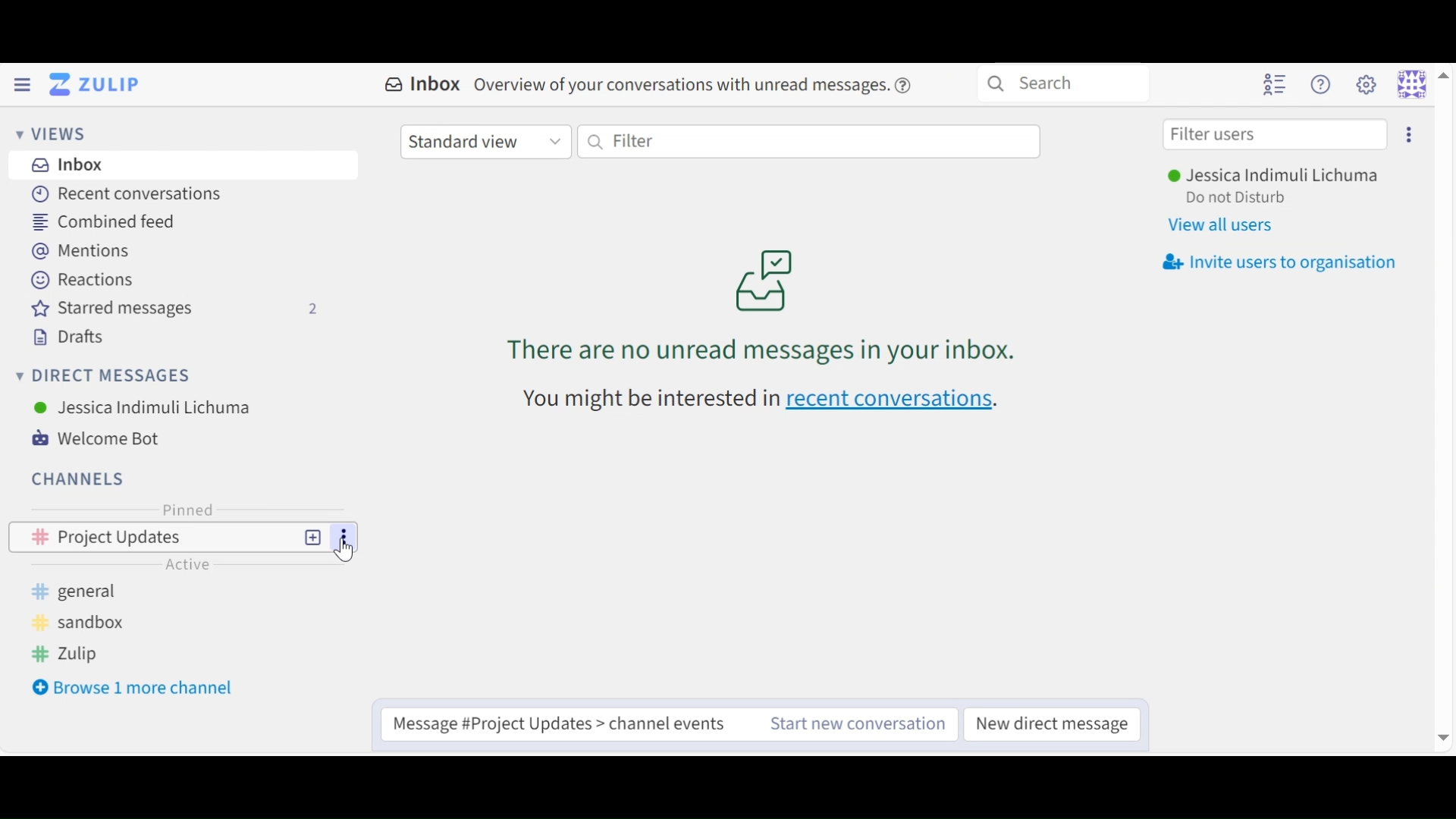  Describe the element at coordinates (95, 440) in the screenshot. I see `Welcome Bot` at that location.